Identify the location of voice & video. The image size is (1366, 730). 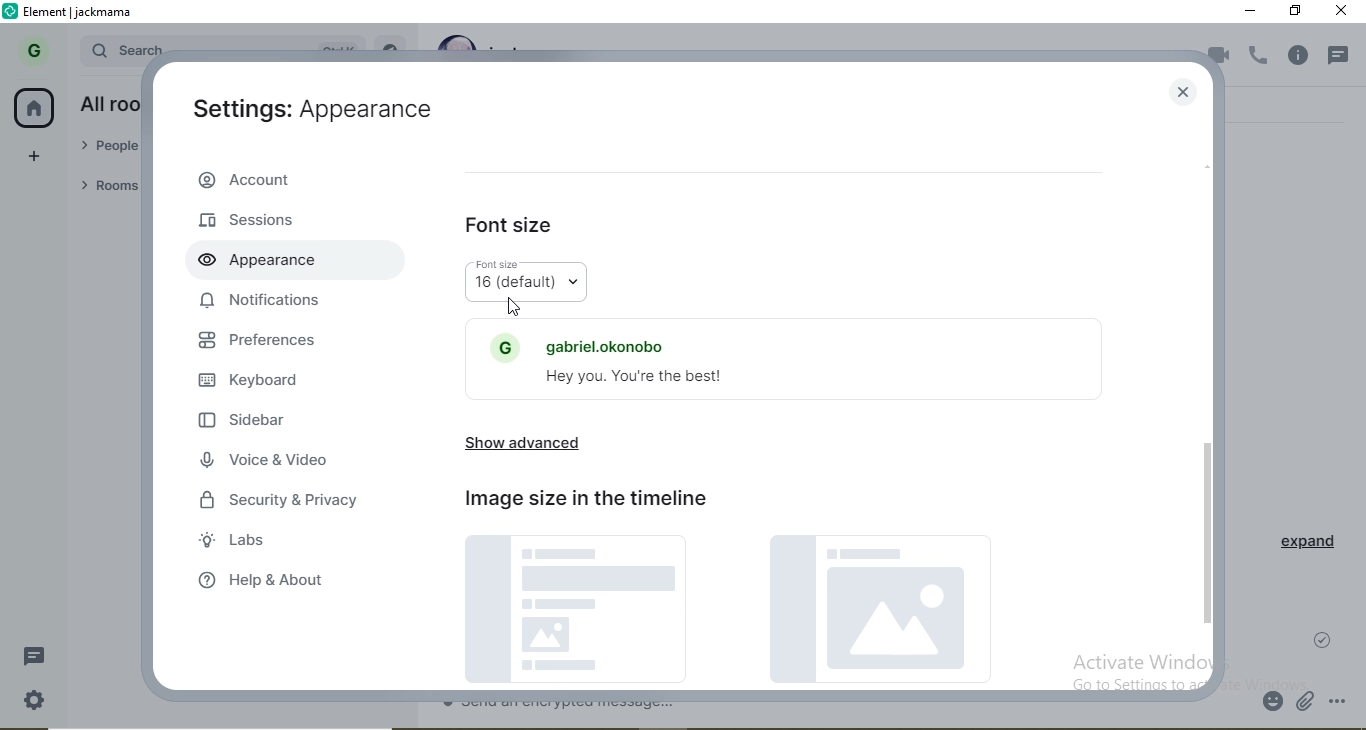
(266, 461).